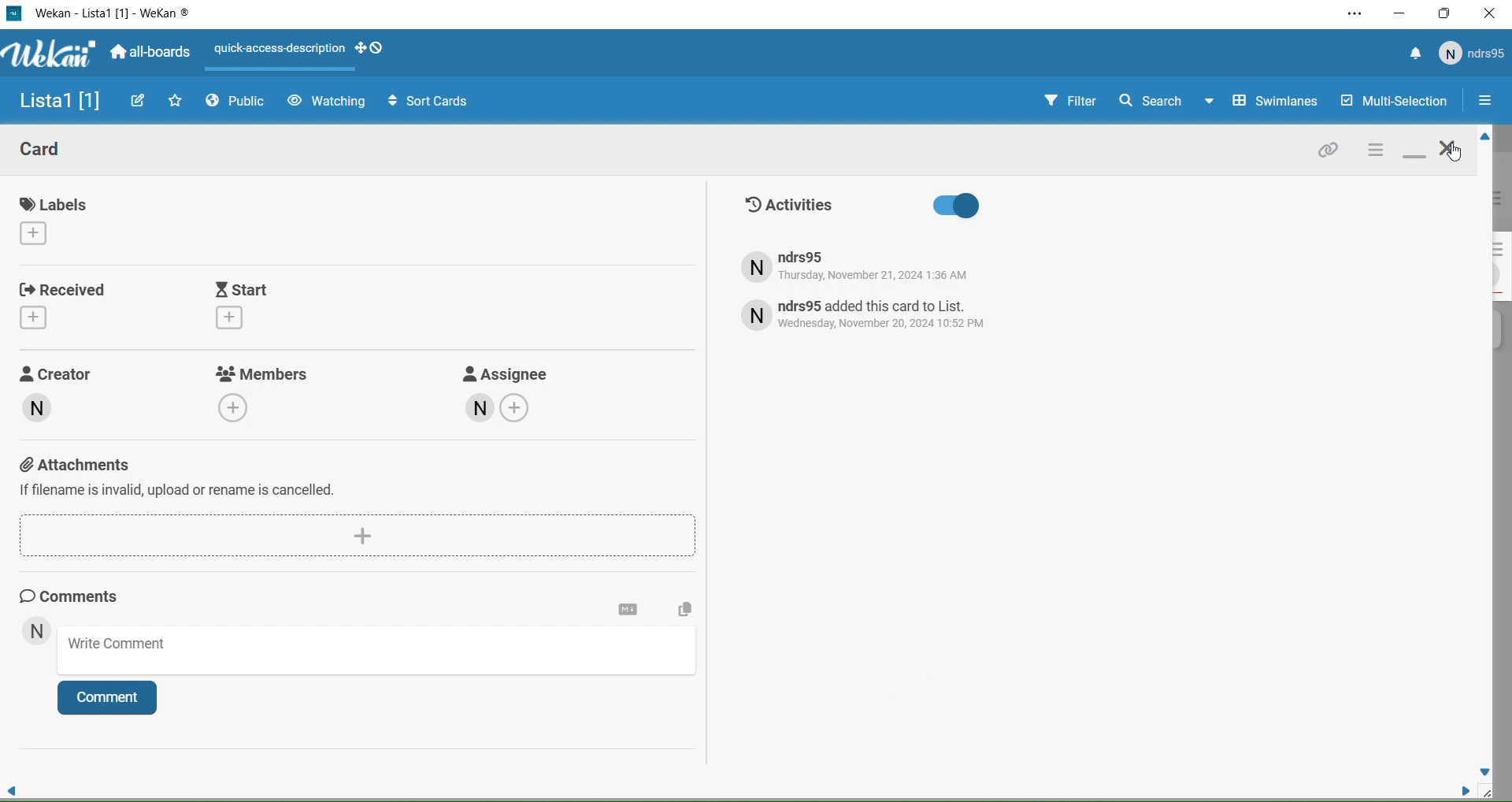  Describe the element at coordinates (139, 100) in the screenshot. I see `Edit` at that location.